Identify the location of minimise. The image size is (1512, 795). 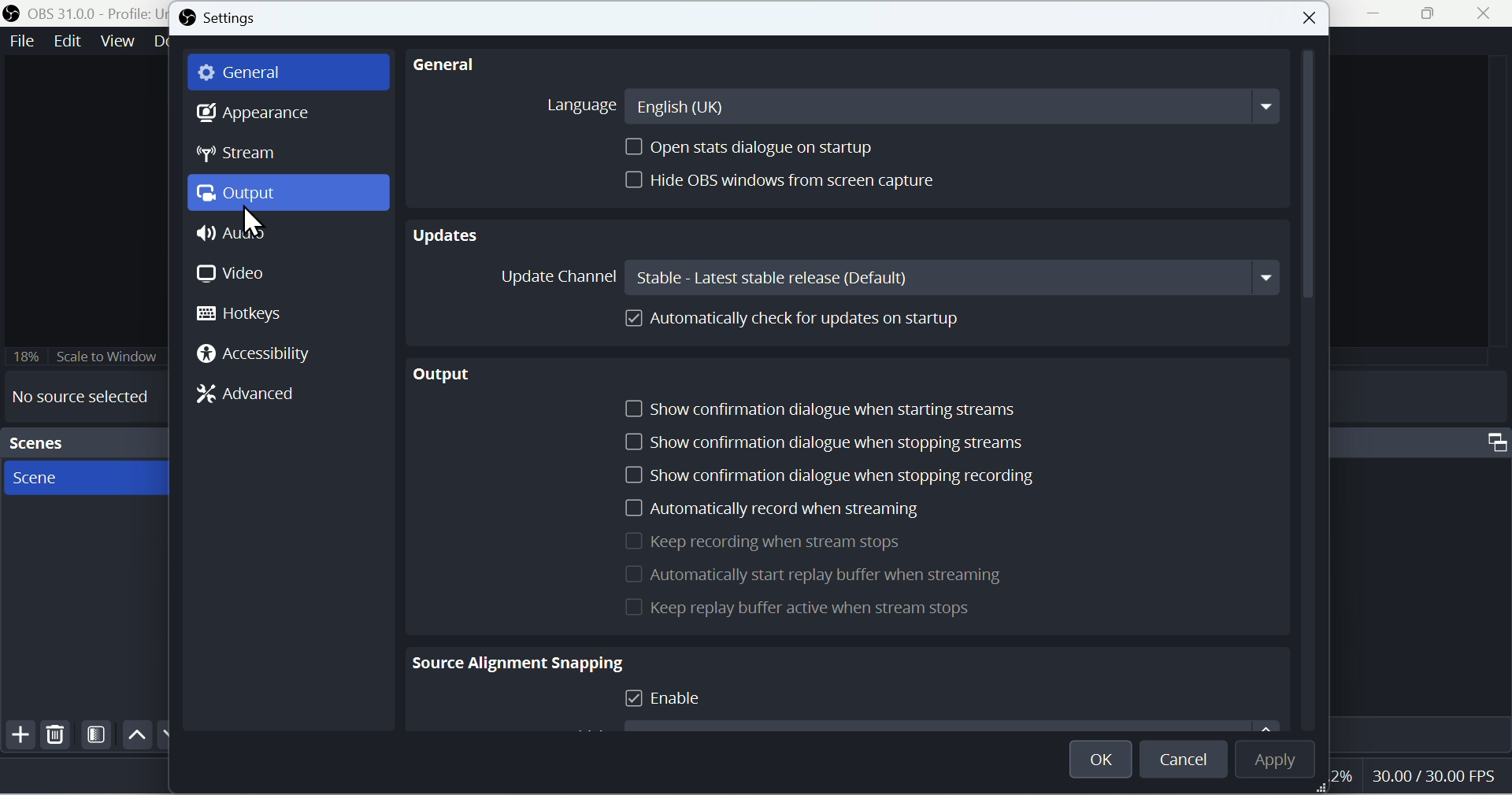
(1375, 17).